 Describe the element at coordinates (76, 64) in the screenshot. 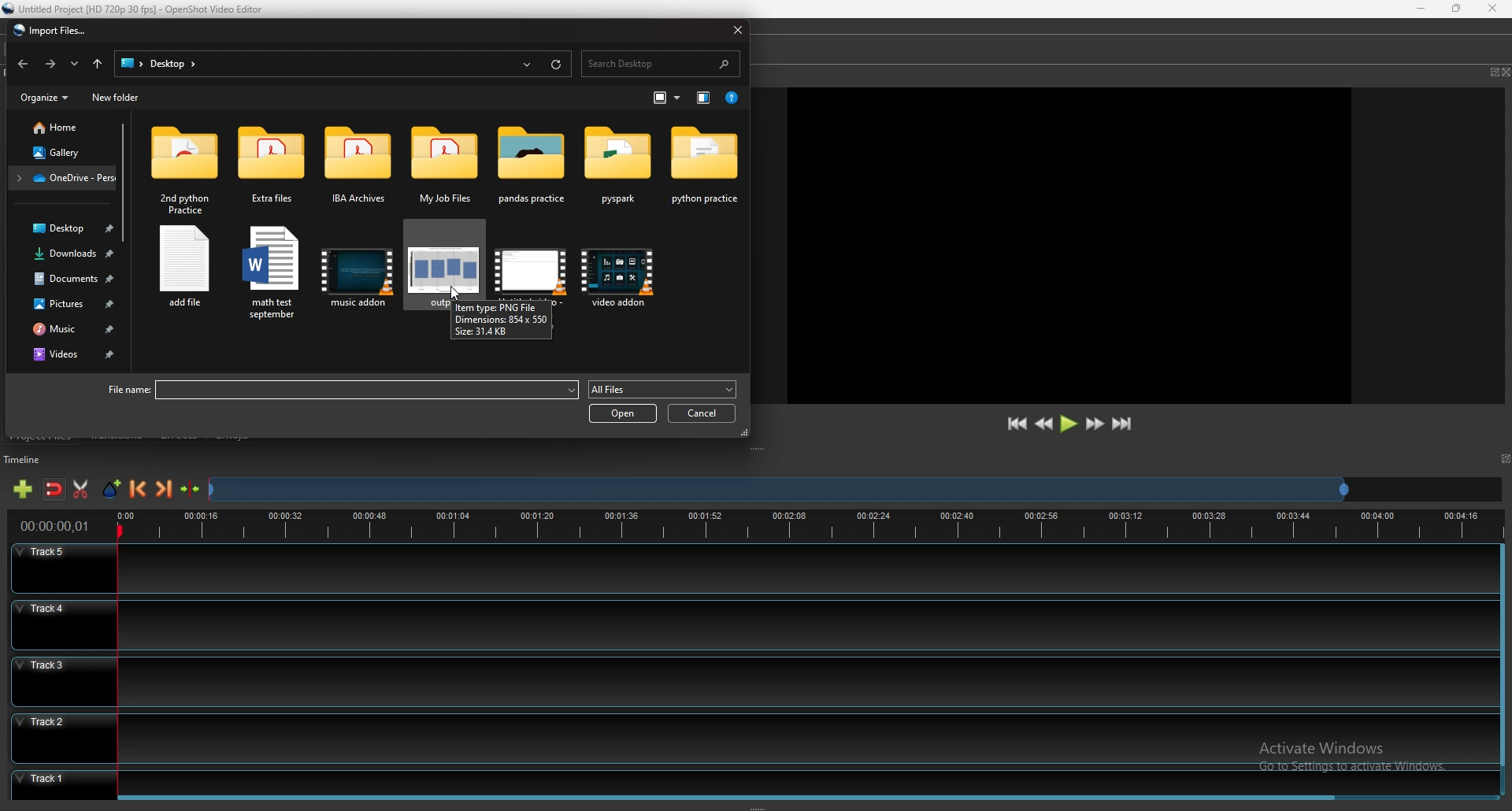

I see `recent` at that location.